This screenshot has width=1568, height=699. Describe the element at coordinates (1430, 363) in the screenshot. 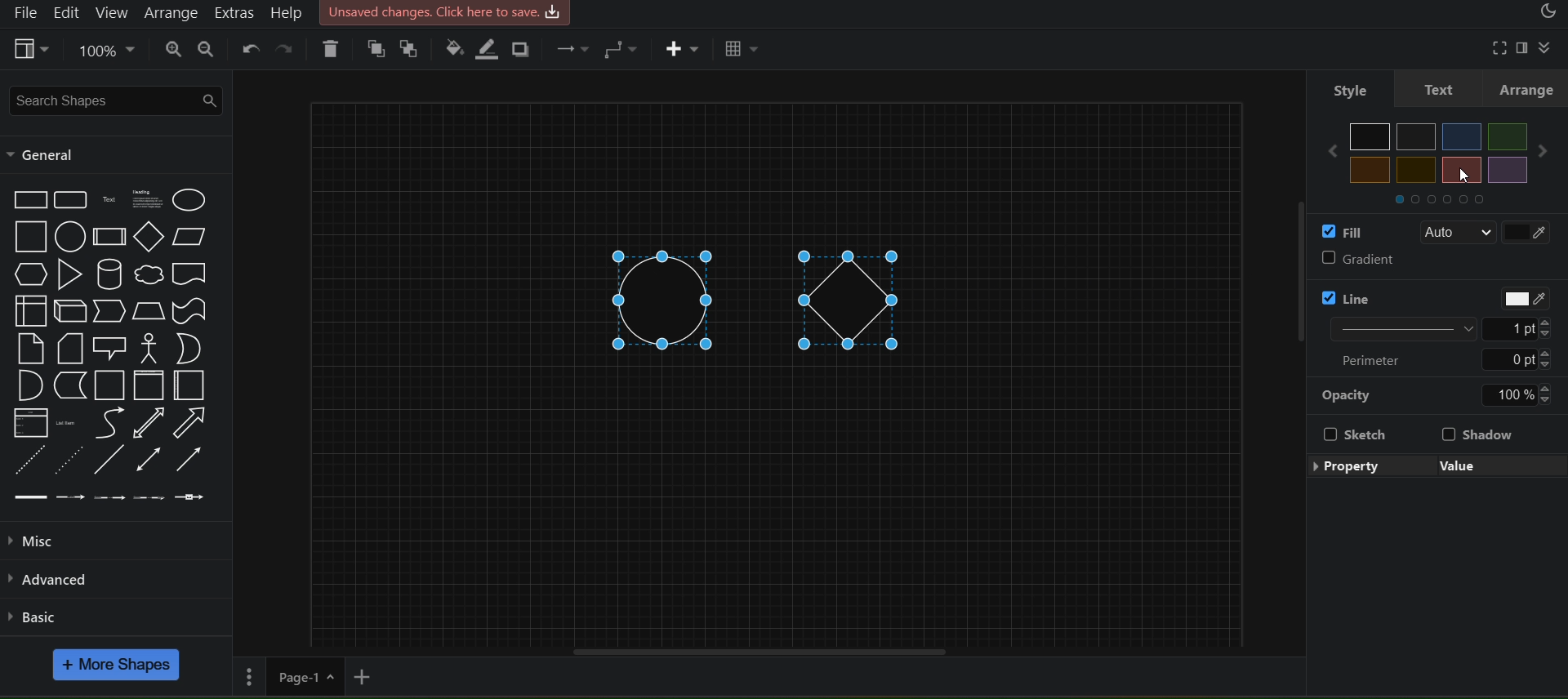

I see `Perimeter` at that location.